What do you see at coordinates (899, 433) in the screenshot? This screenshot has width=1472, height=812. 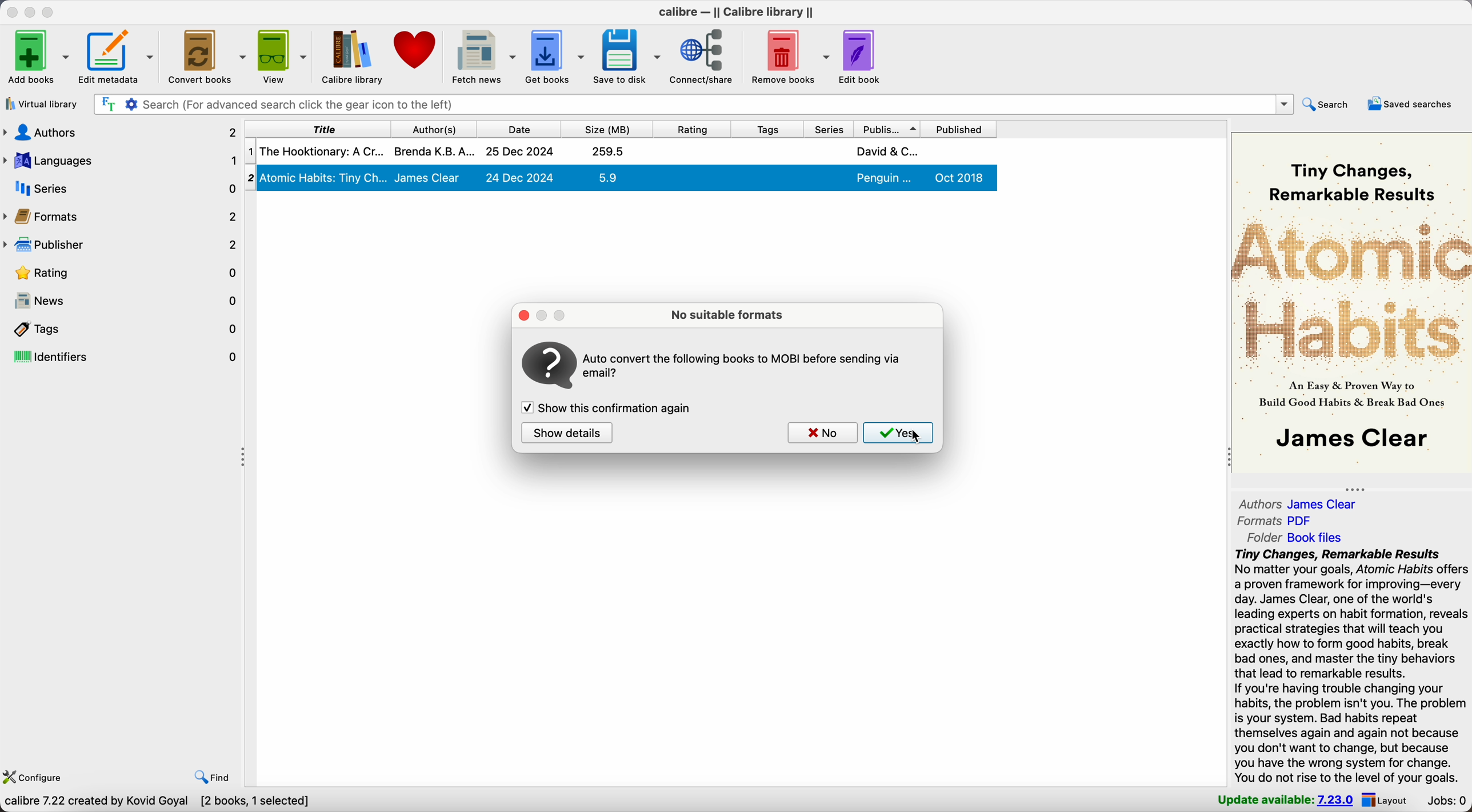 I see `Yes` at bounding box center [899, 433].